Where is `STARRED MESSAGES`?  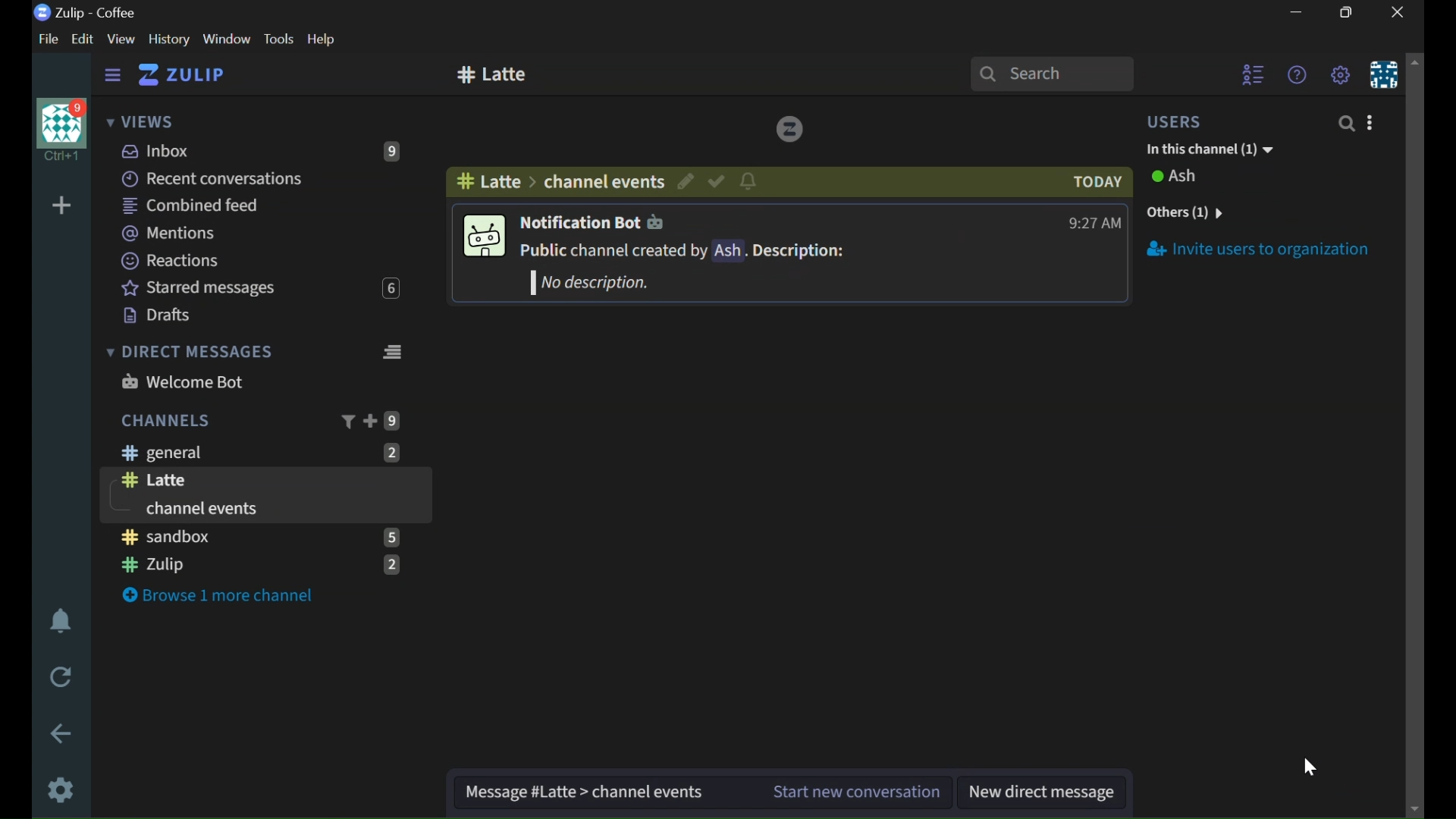 STARRED MESSAGES is located at coordinates (259, 285).